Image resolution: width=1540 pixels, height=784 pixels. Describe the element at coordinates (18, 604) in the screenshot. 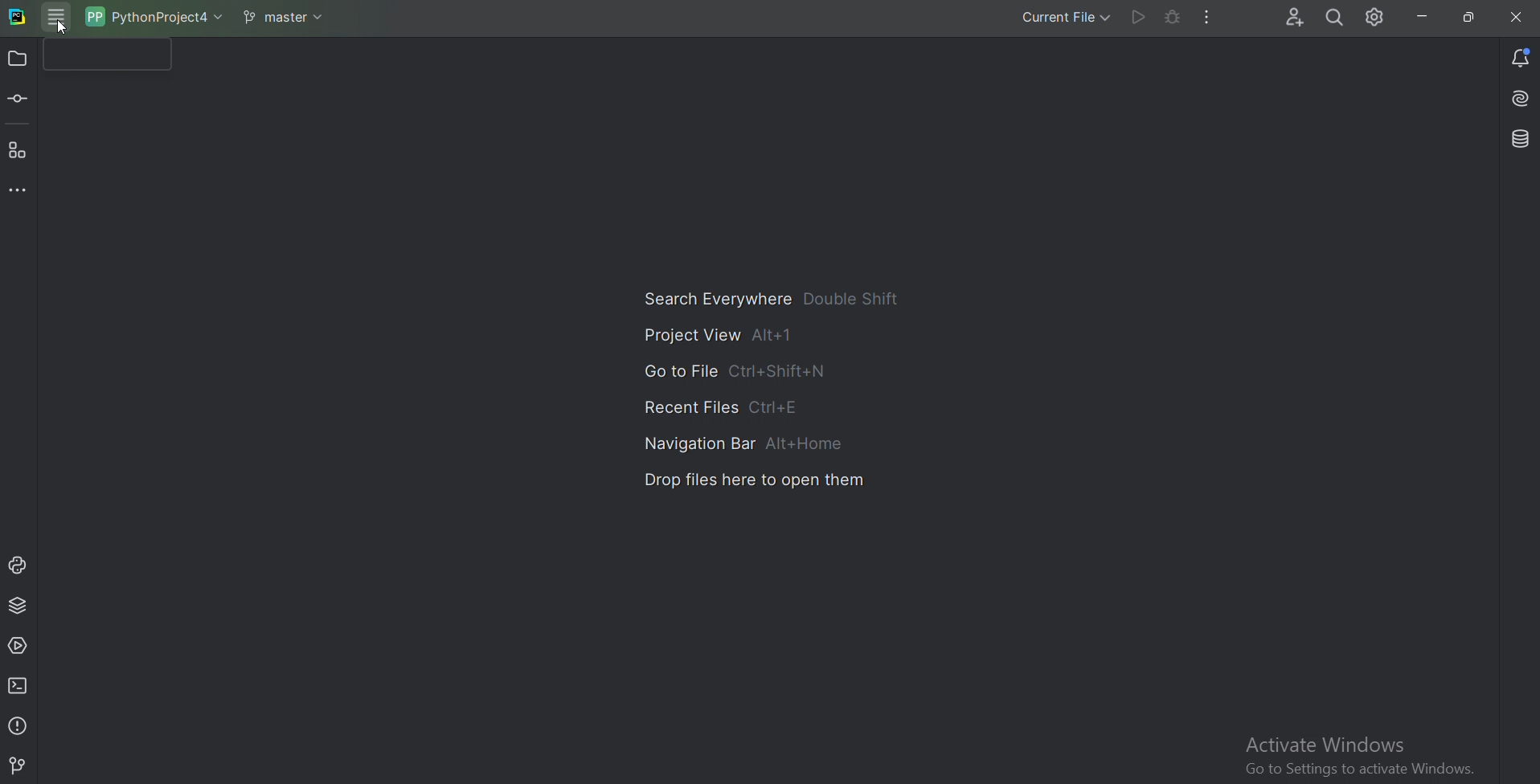

I see `Python package` at that location.